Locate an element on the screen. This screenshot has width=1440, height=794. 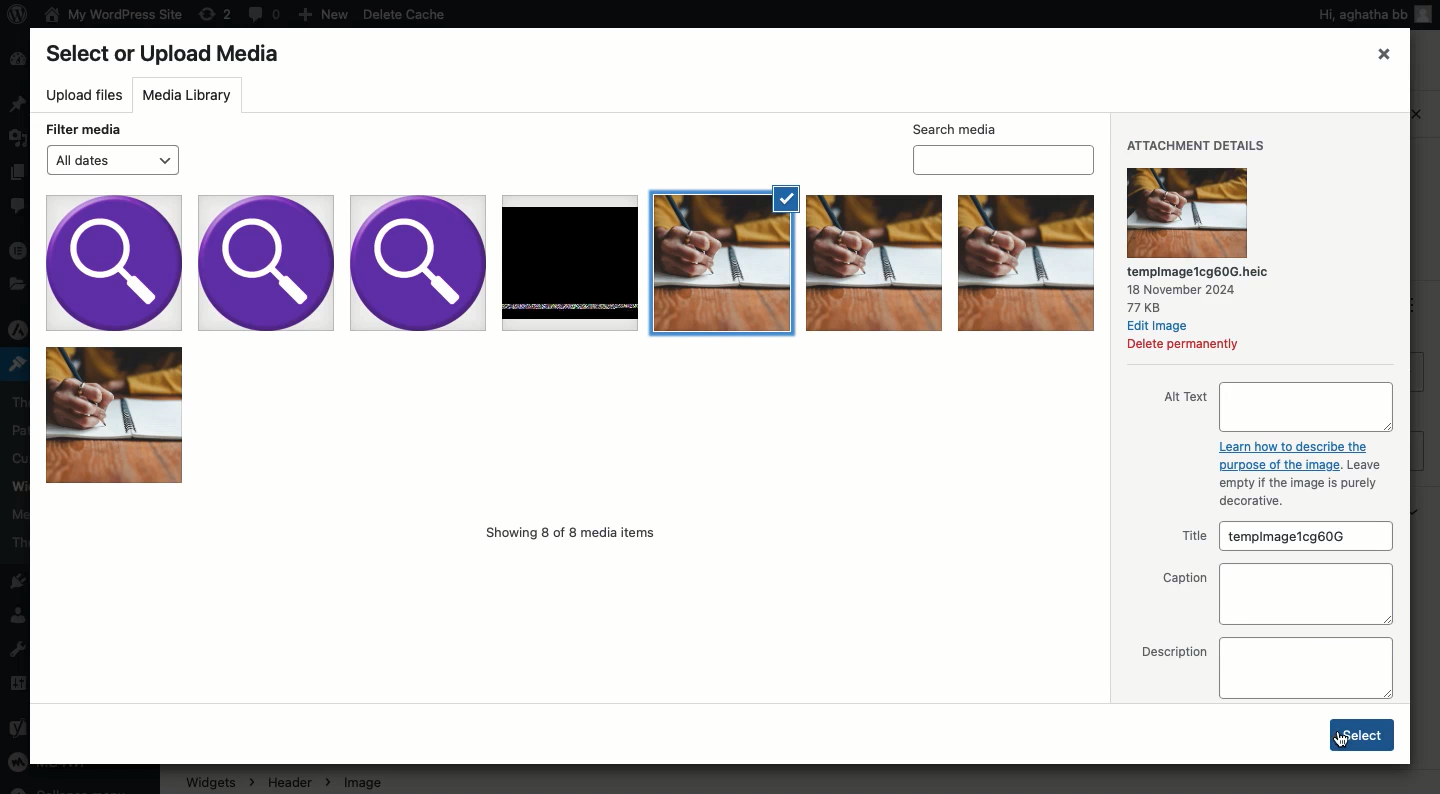
Select is located at coordinates (1363, 735).